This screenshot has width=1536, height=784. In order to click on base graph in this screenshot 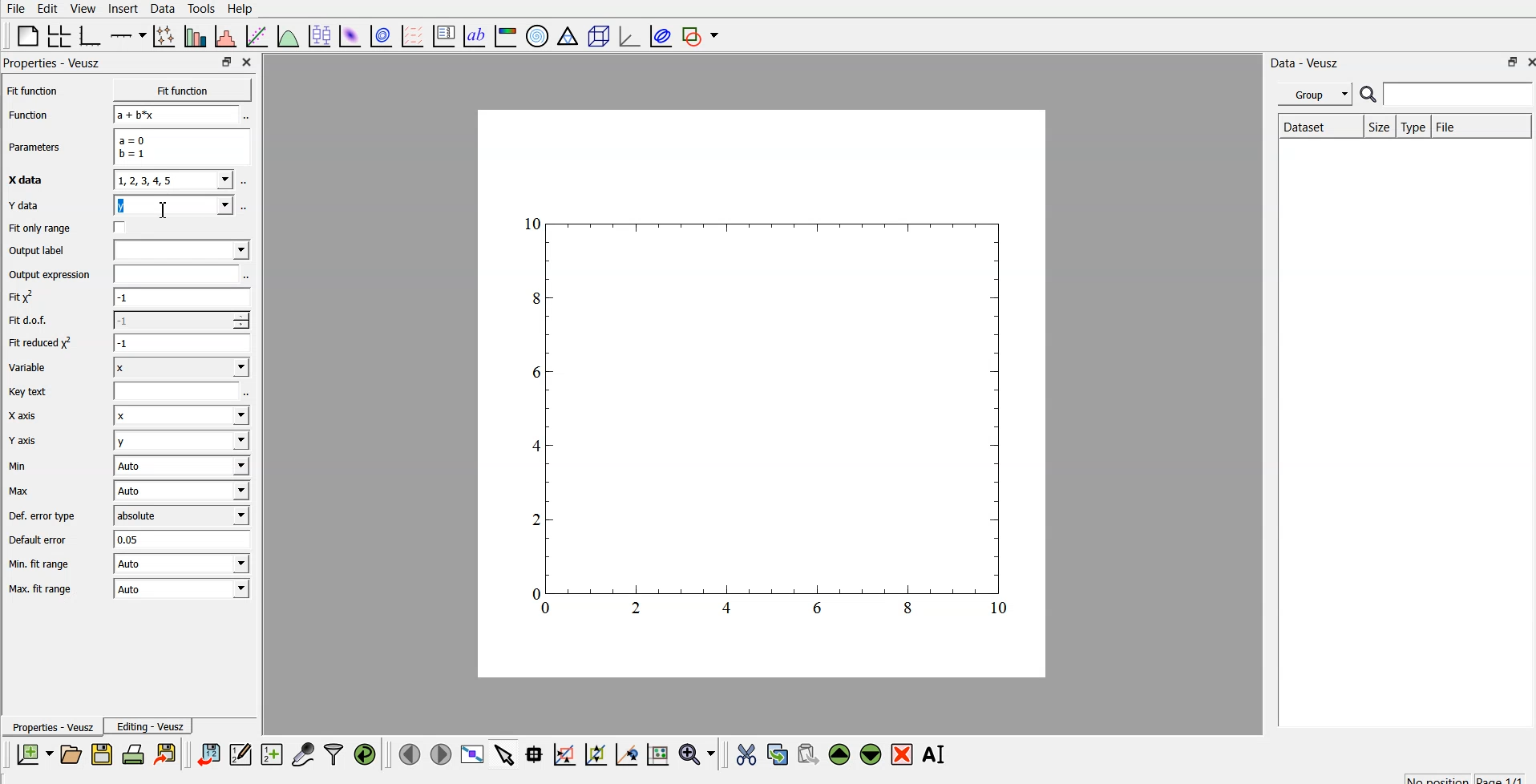, I will do `click(89, 37)`.